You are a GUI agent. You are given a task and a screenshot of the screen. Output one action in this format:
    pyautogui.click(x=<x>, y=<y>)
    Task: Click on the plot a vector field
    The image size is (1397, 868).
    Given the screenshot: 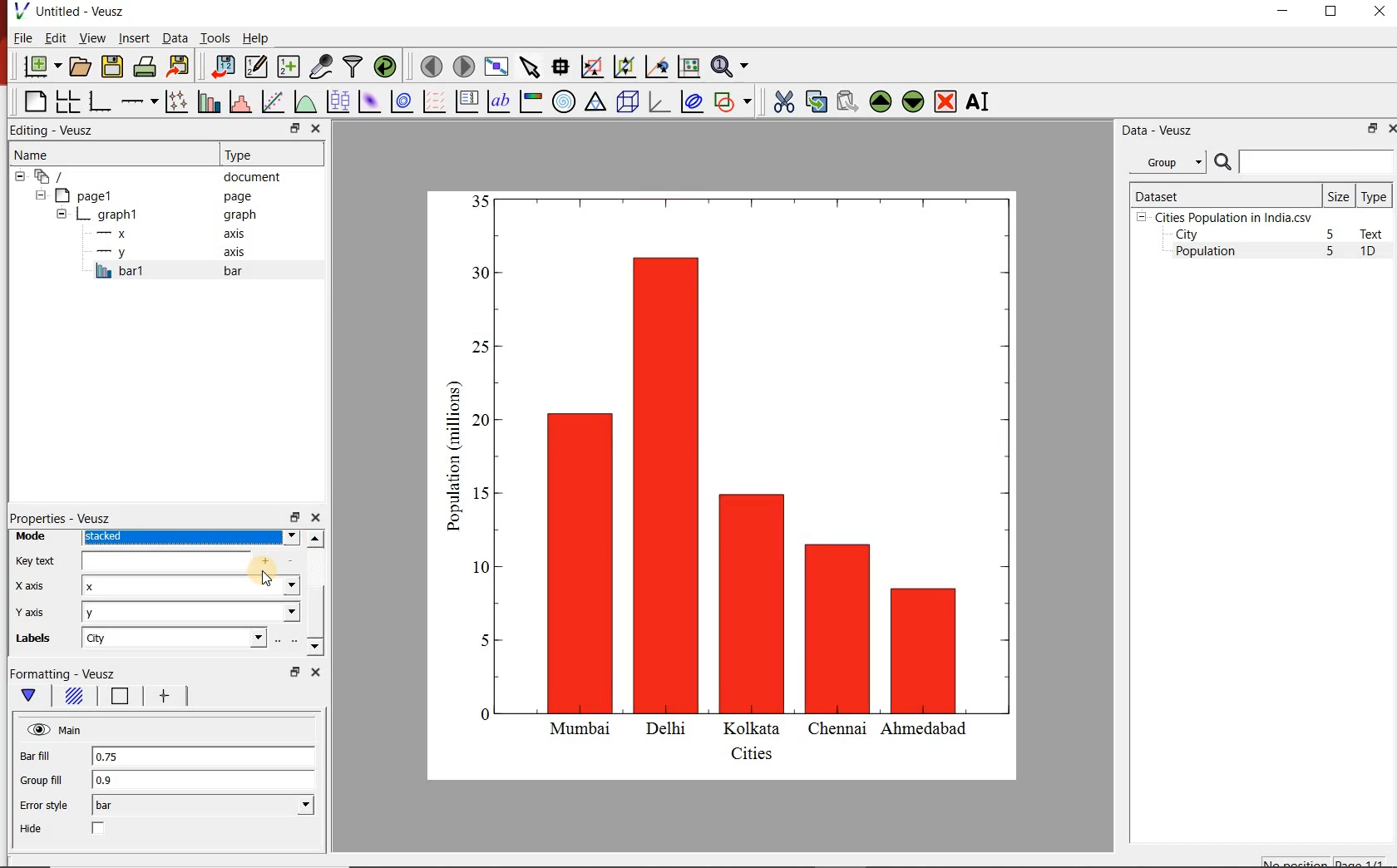 What is the action you would take?
    pyautogui.click(x=432, y=101)
    